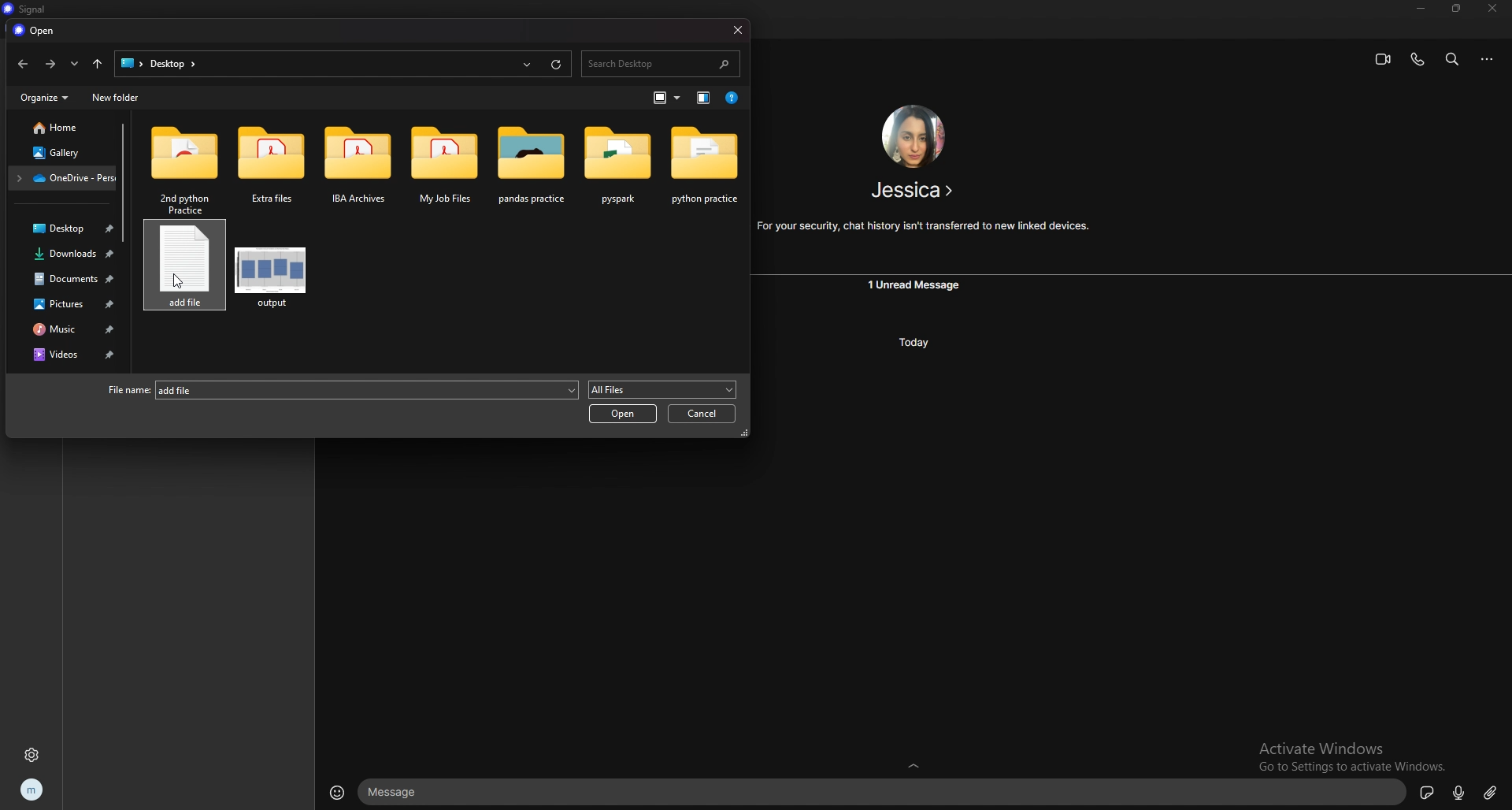 The image size is (1512, 810). Describe the element at coordinates (913, 191) in the screenshot. I see `Jessica >` at that location.